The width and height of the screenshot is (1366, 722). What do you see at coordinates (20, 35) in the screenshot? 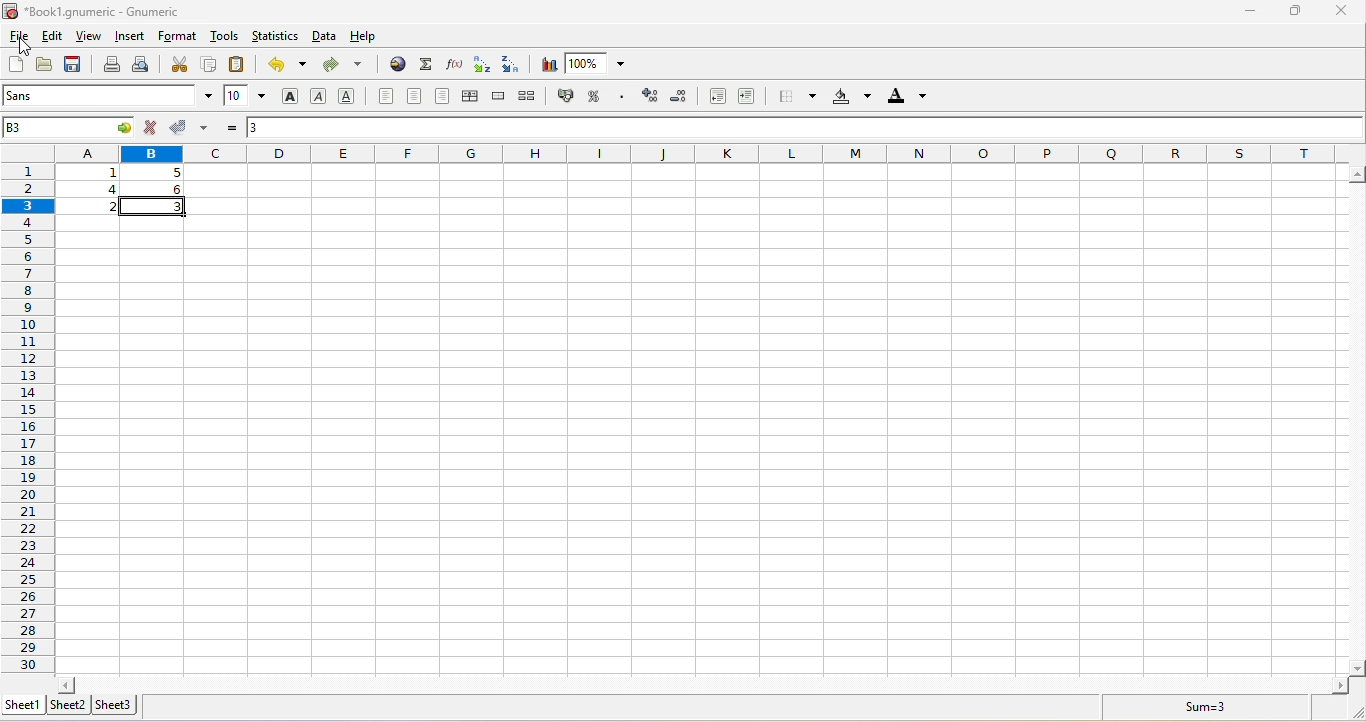
I see `file` at bounding box center [20, 35].